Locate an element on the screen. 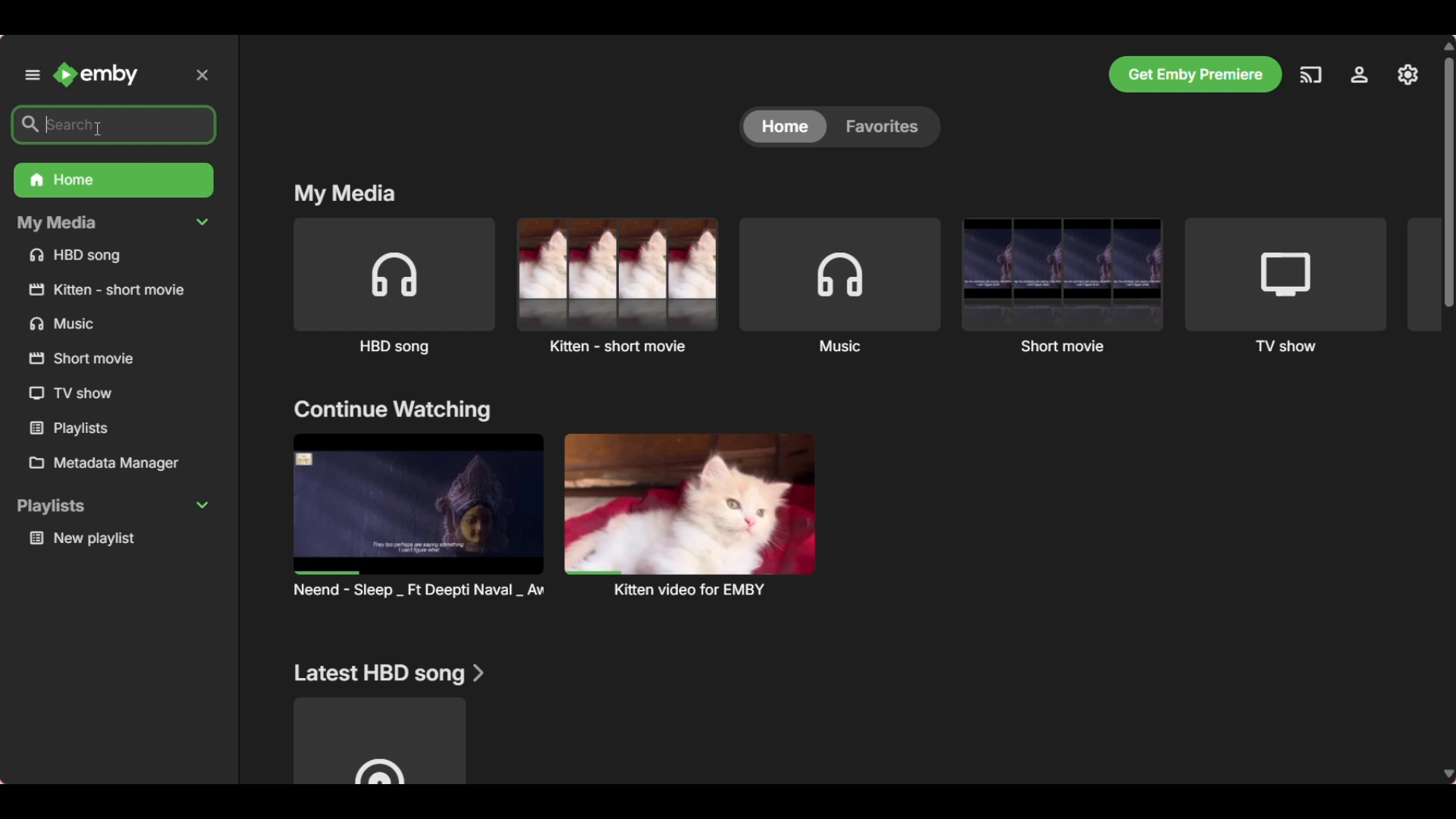 This screenshot has height=819, width=1456. Search box highlighted after selection is located at coordinates (114, 124).